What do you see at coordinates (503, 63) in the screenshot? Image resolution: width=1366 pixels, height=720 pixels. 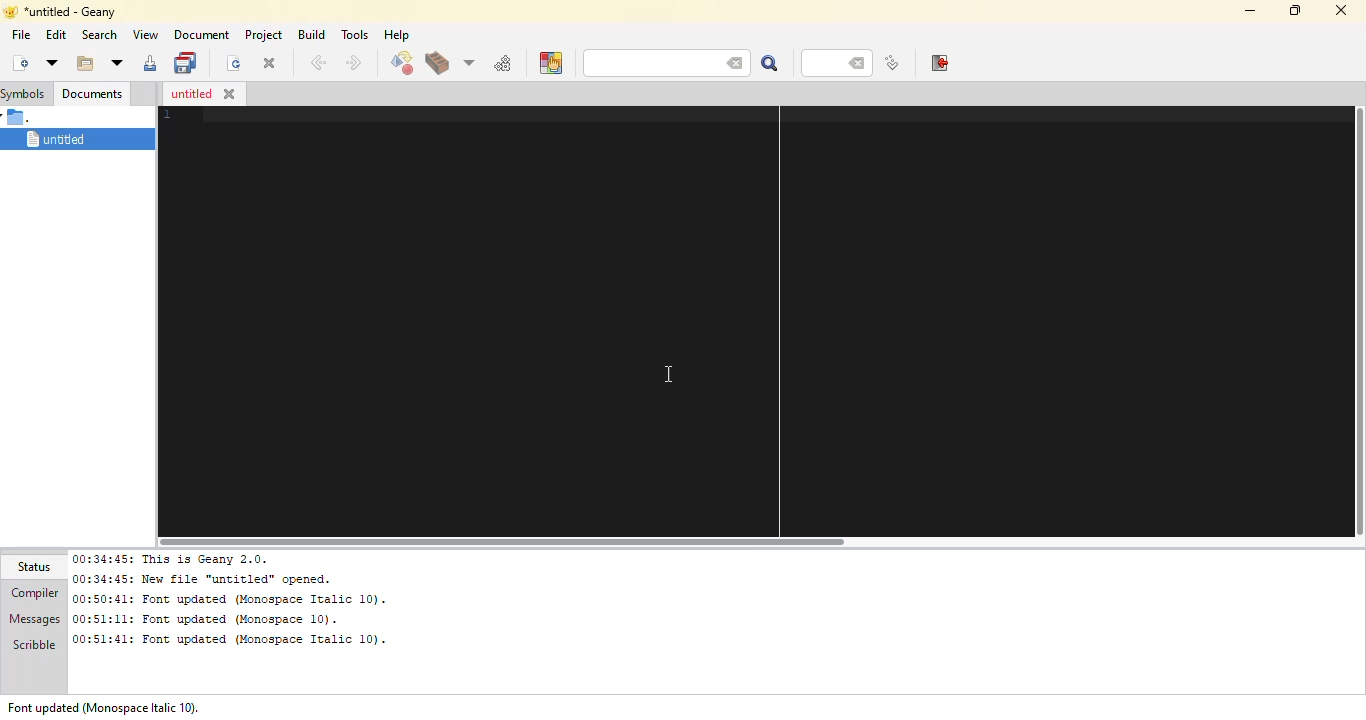 I see `run` at bounding box center [503, 63].